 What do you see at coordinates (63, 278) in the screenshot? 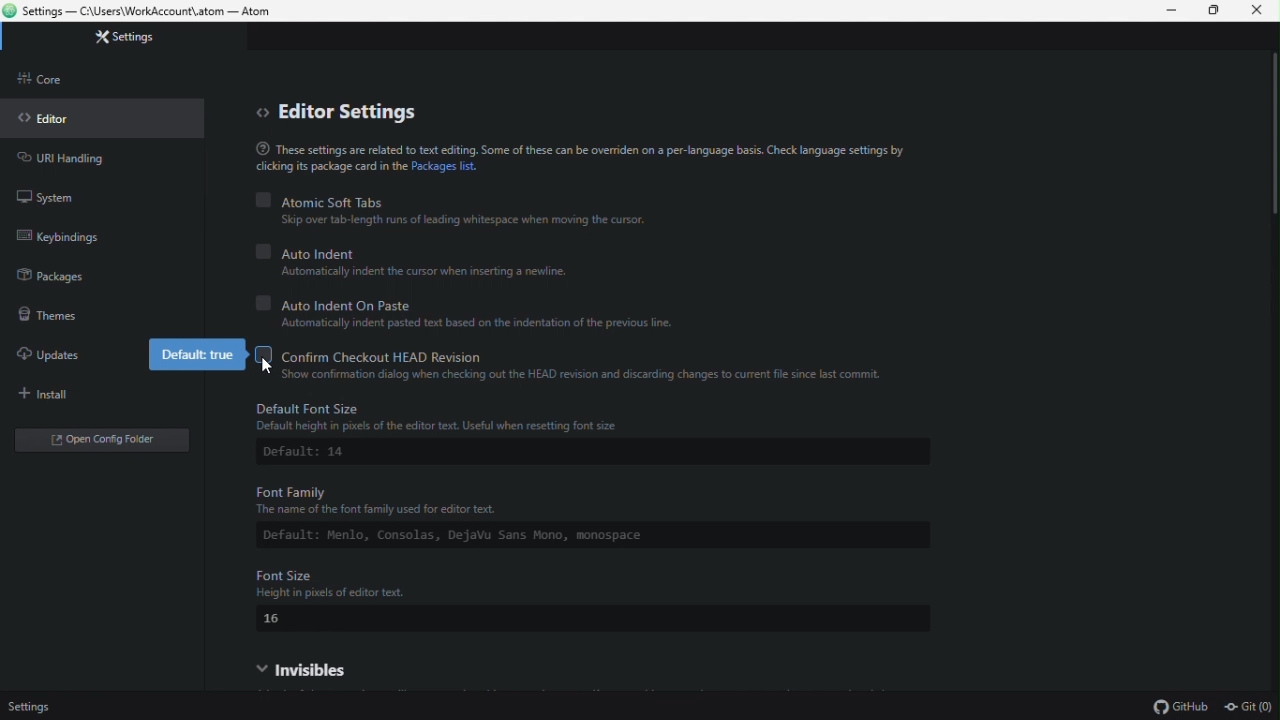
I see `packages` at bounding box center [63, 278].